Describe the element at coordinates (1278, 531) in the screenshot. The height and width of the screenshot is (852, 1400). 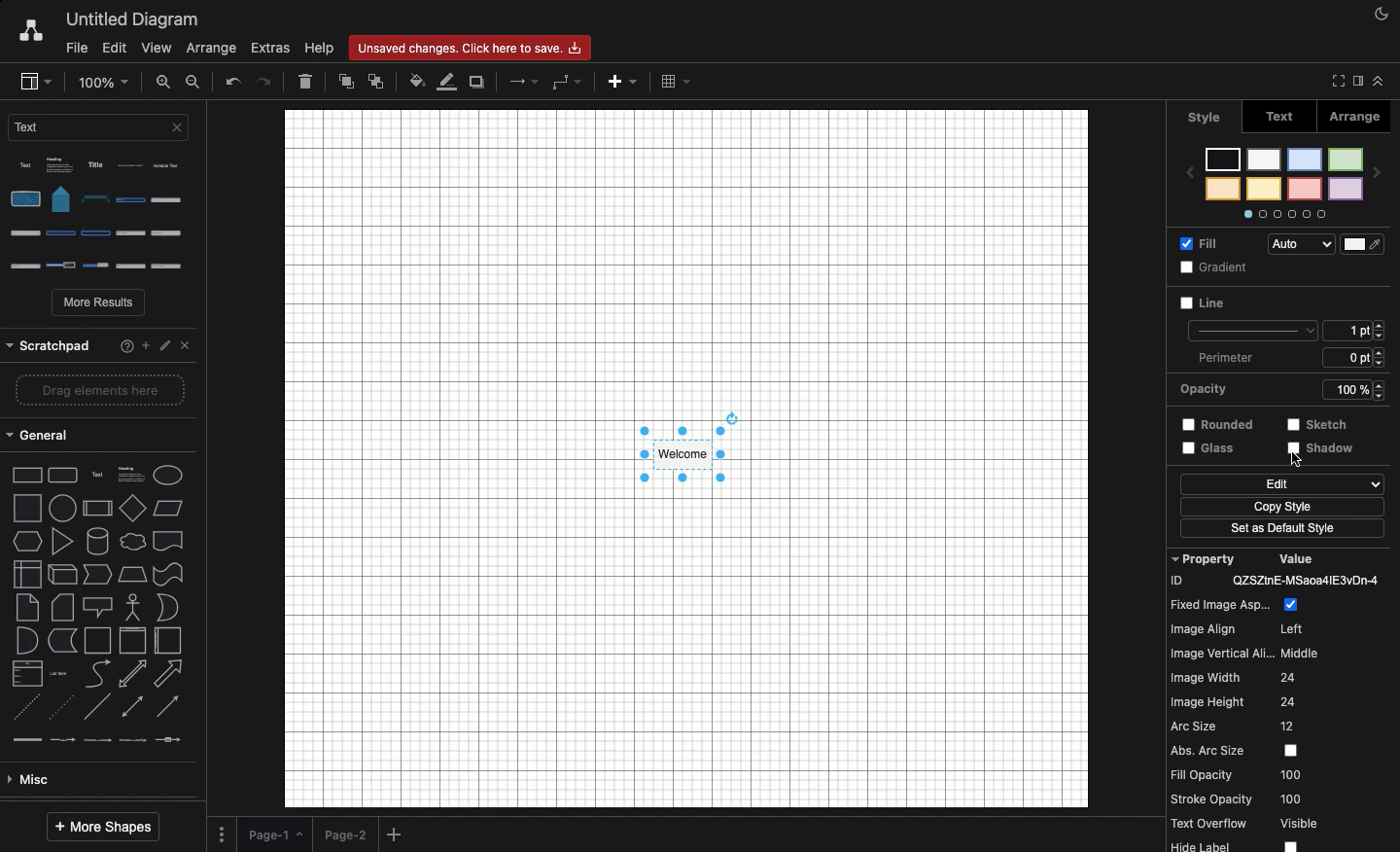
I see `` at that location.